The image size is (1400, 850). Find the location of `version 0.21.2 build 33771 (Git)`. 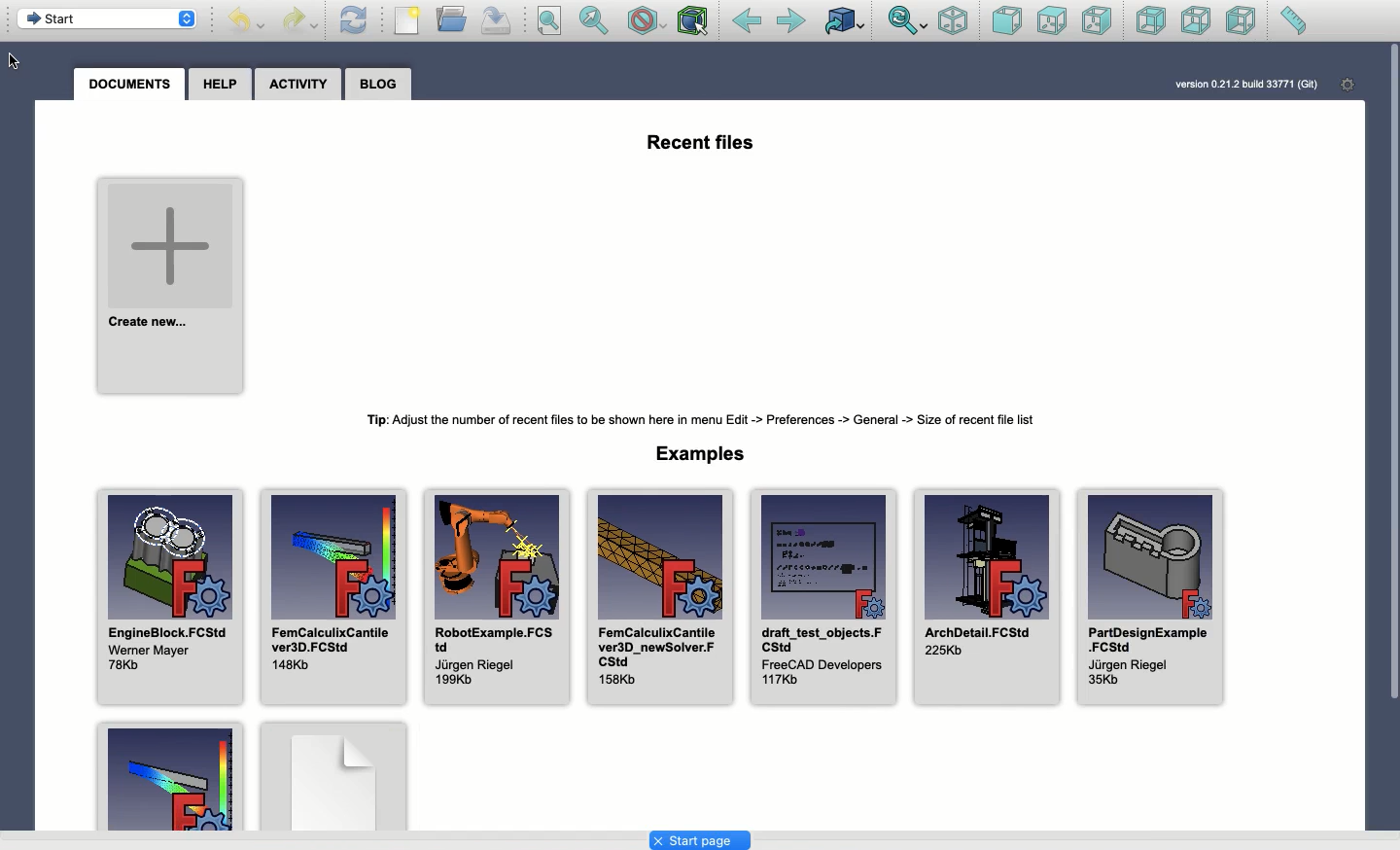

version 0.21.2 build 33771 (Git) is located at coordinates (1247, 84).